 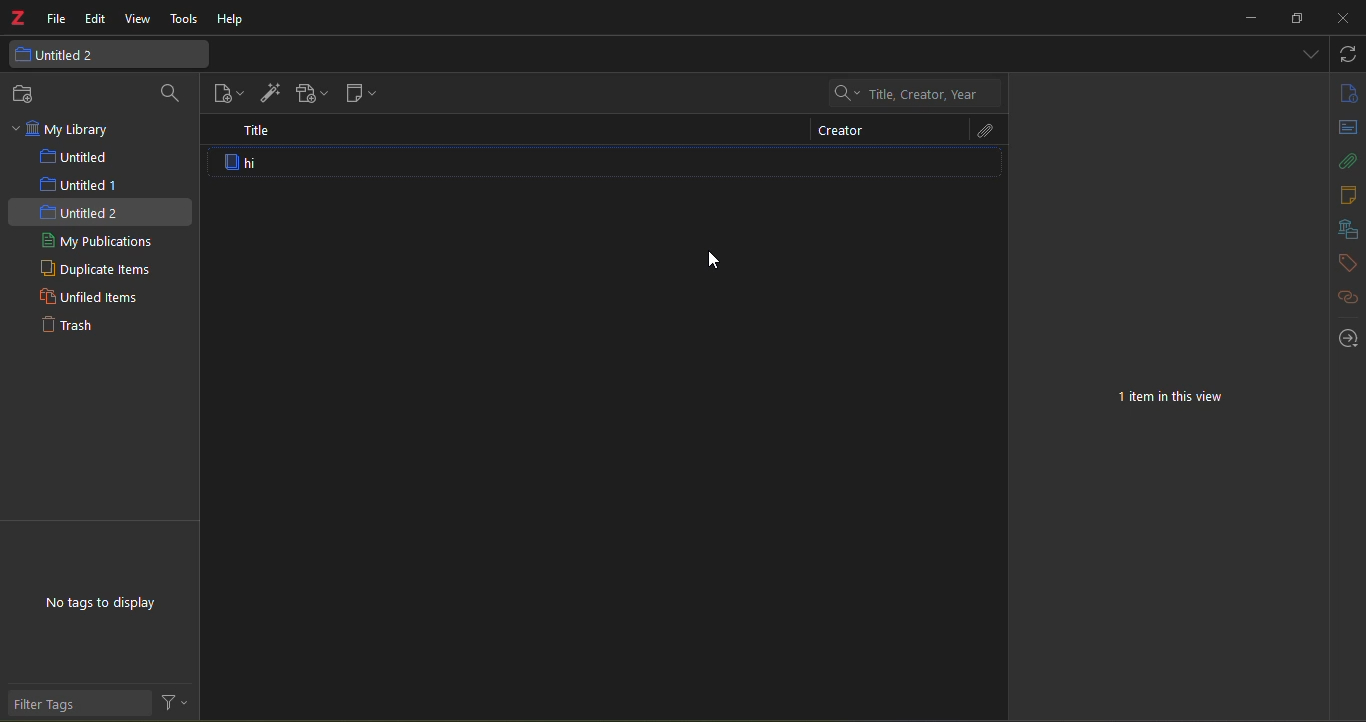 I want to click on logo, so click(x=18, y=17).